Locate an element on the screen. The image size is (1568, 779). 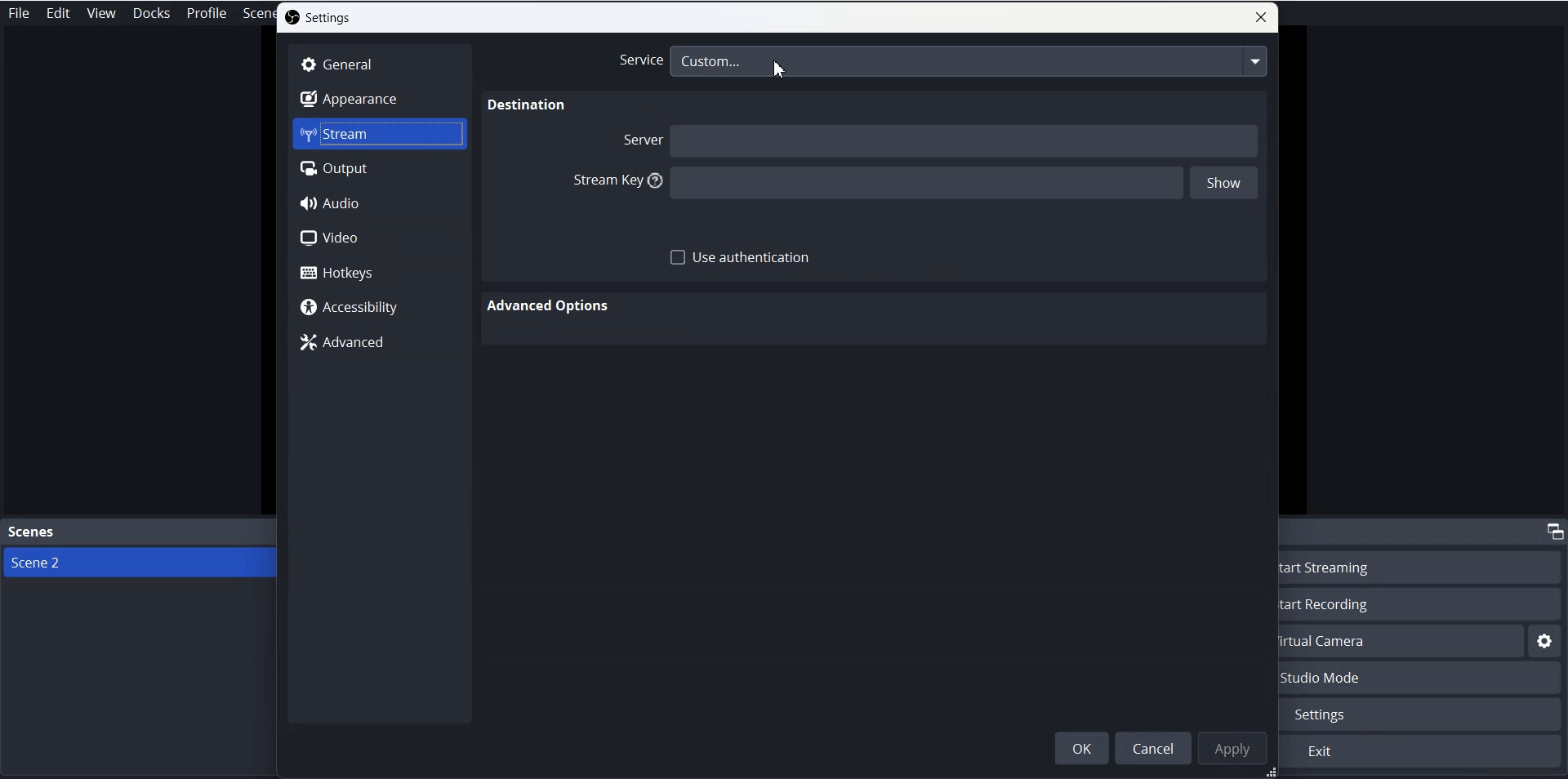
Use authentication is located at coordinates (741, 257).